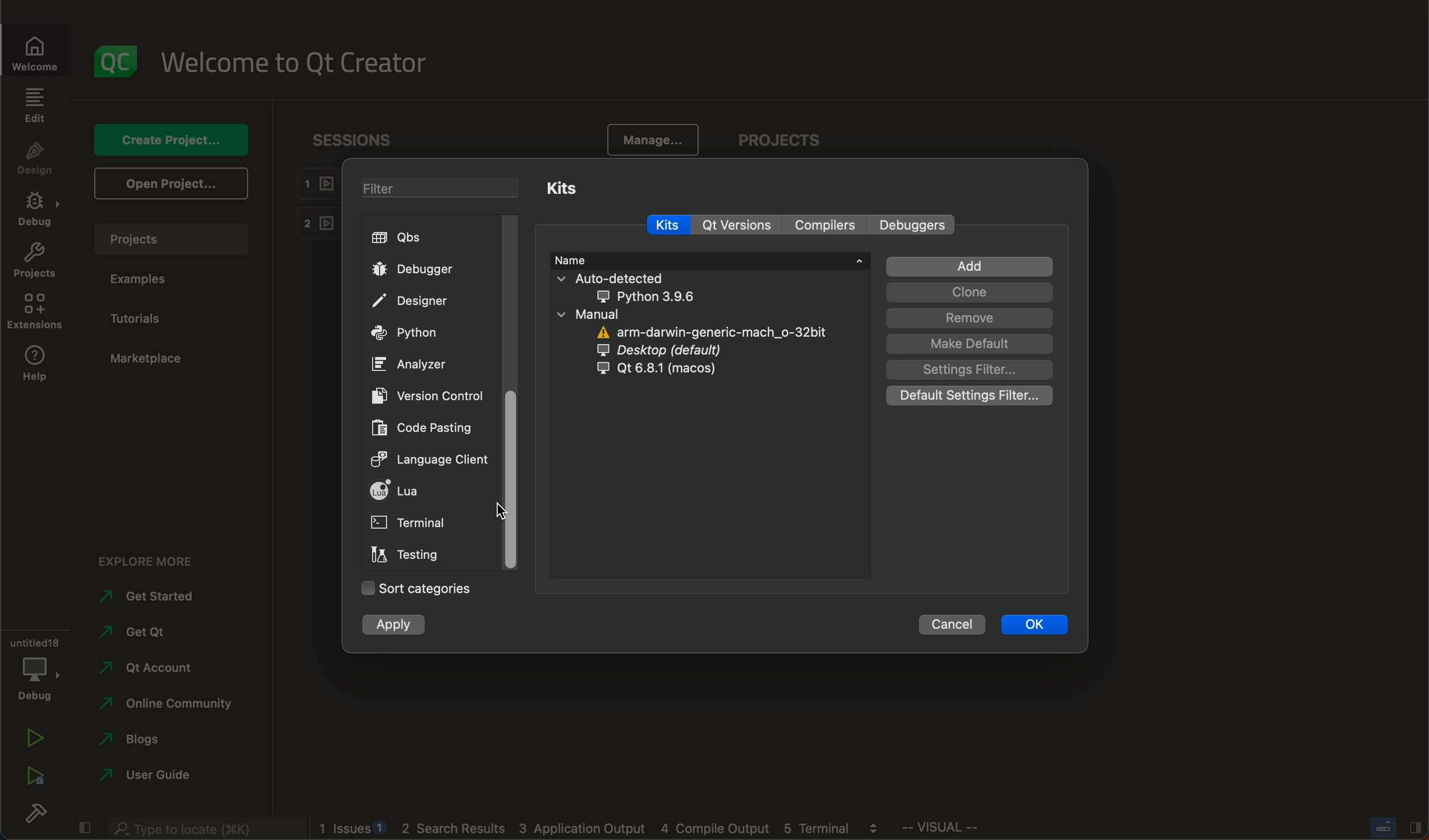 Image resolution: width=1429 pixels, height=840 pixels. What do you see at coordinates (421, 300) in the screenshot?
I see `designer` at bounding box center [421, 300].